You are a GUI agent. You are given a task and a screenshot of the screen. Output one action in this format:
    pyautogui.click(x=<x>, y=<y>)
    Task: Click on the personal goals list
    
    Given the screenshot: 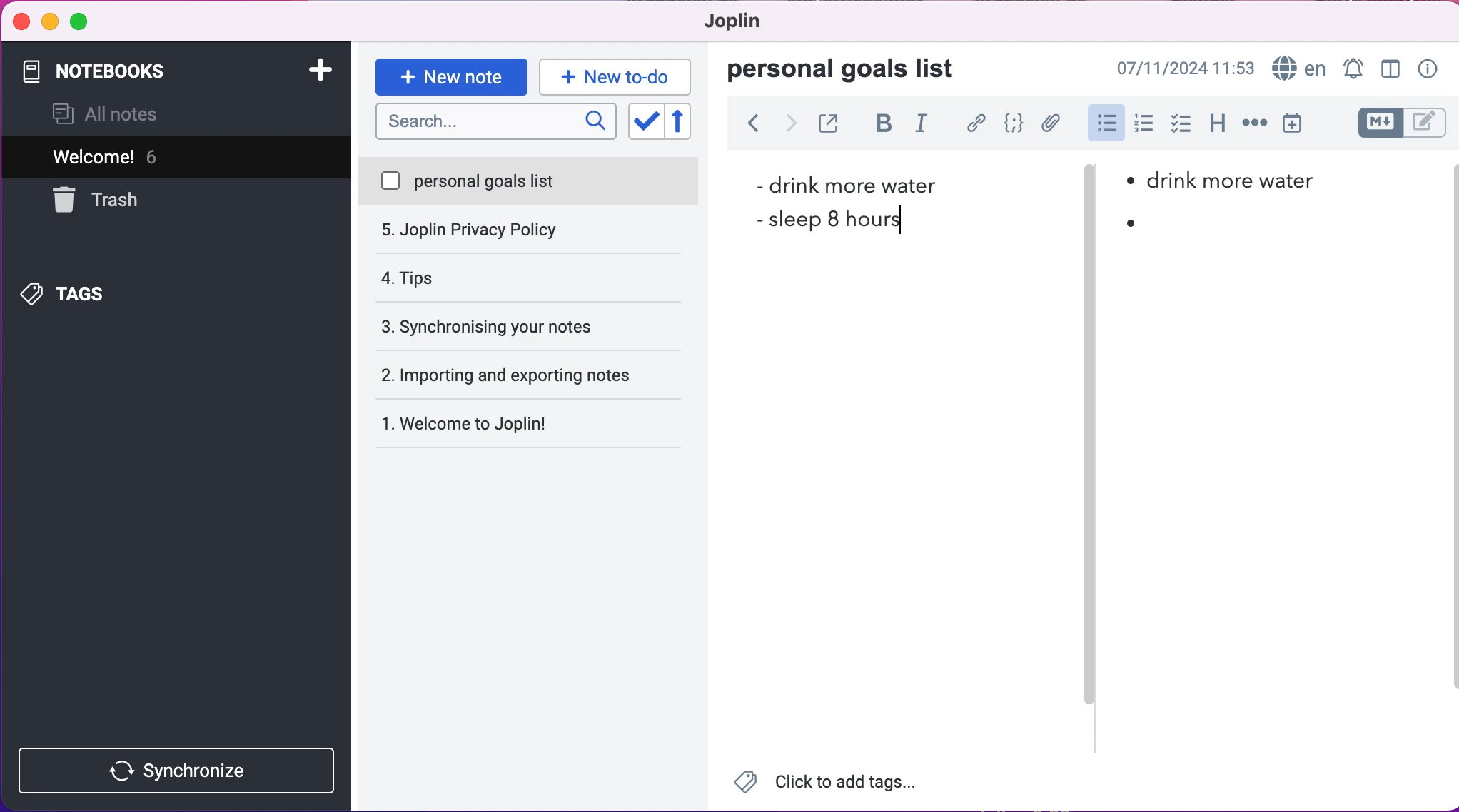 What is the action you would take?
    pyautogui.click(x=851, y=70)
    